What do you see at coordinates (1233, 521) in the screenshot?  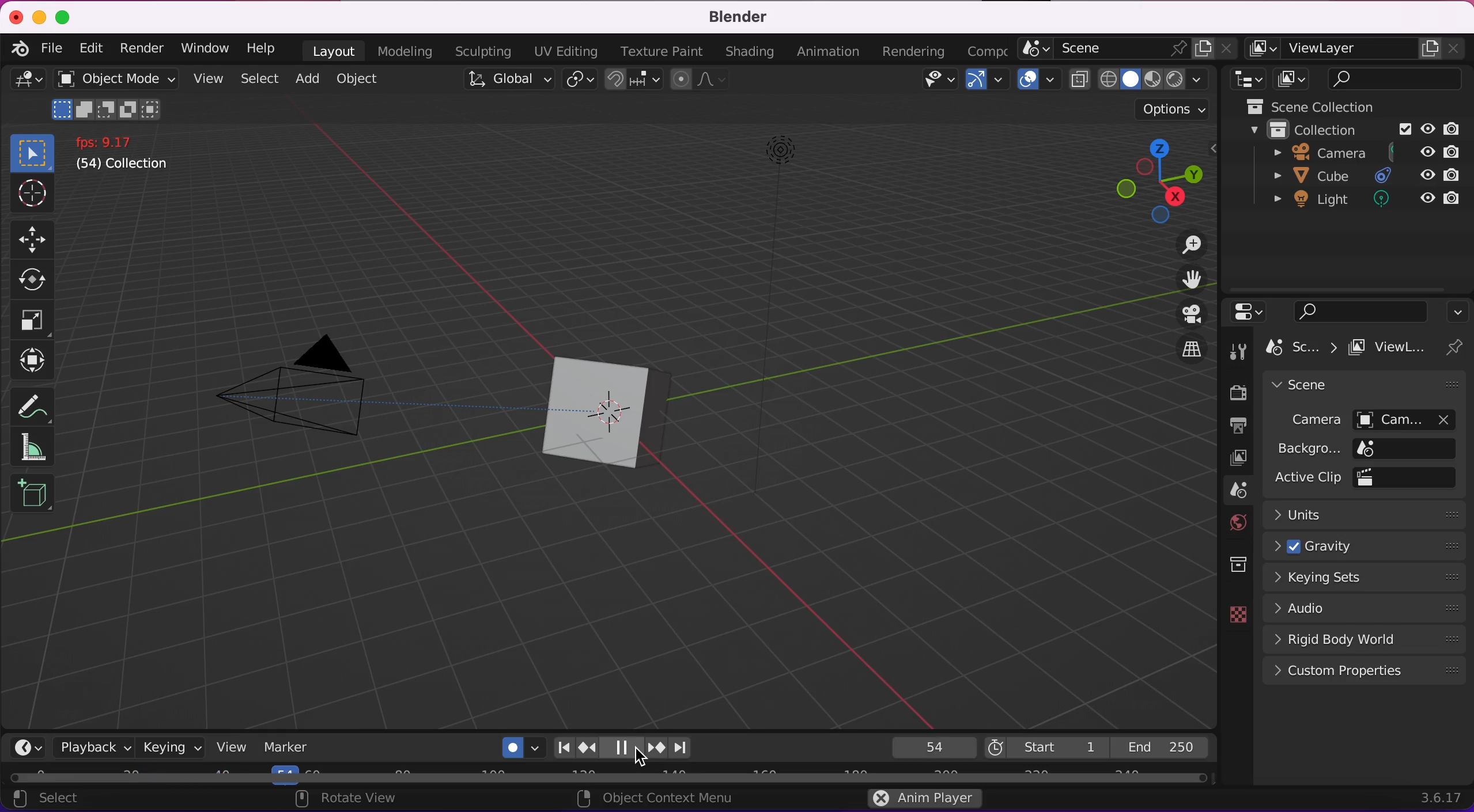 I see `world` at bounding box center [1233, 521].